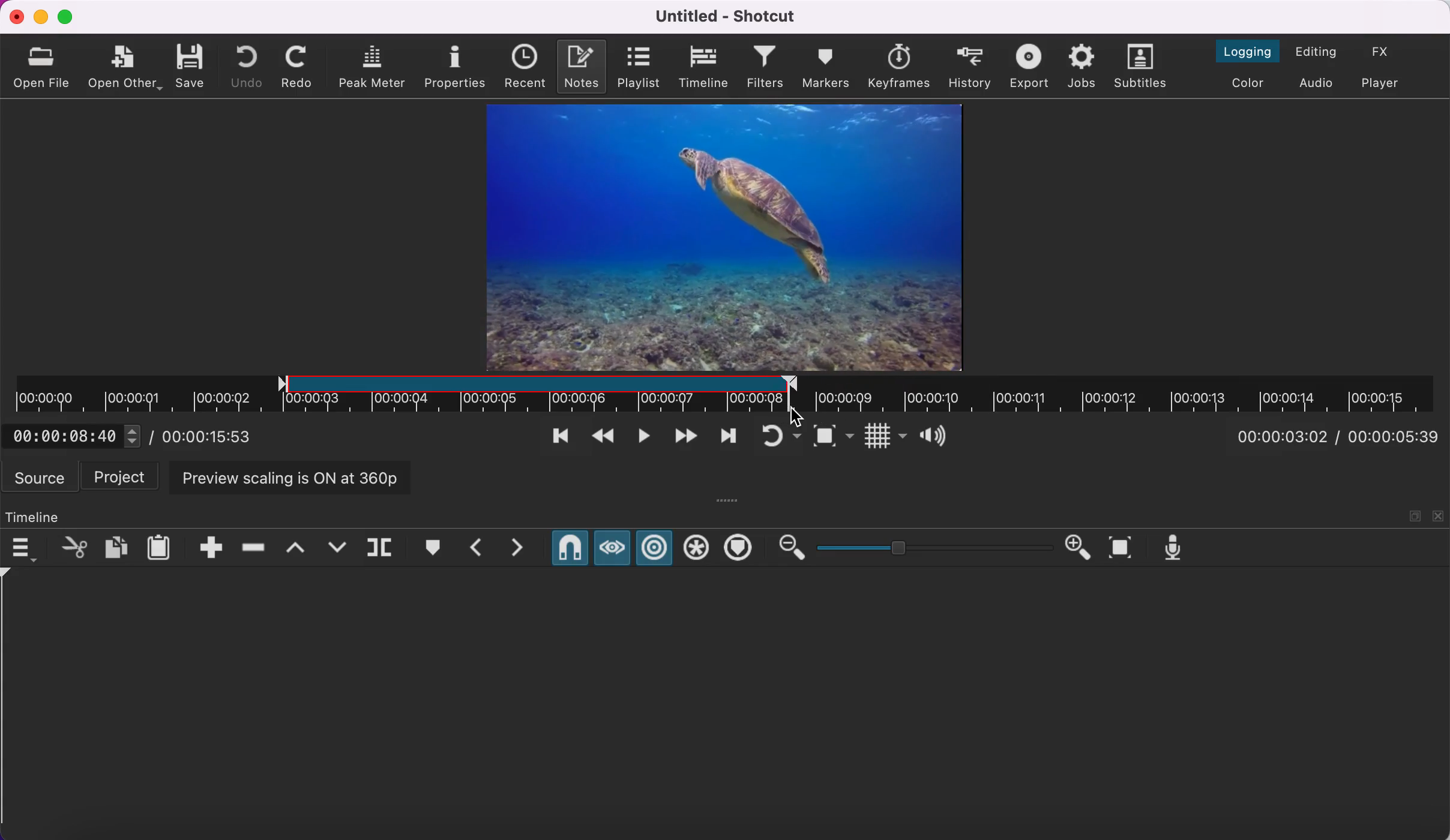 The image size is (1450, 840). I want to click on close, so click(14, 16).